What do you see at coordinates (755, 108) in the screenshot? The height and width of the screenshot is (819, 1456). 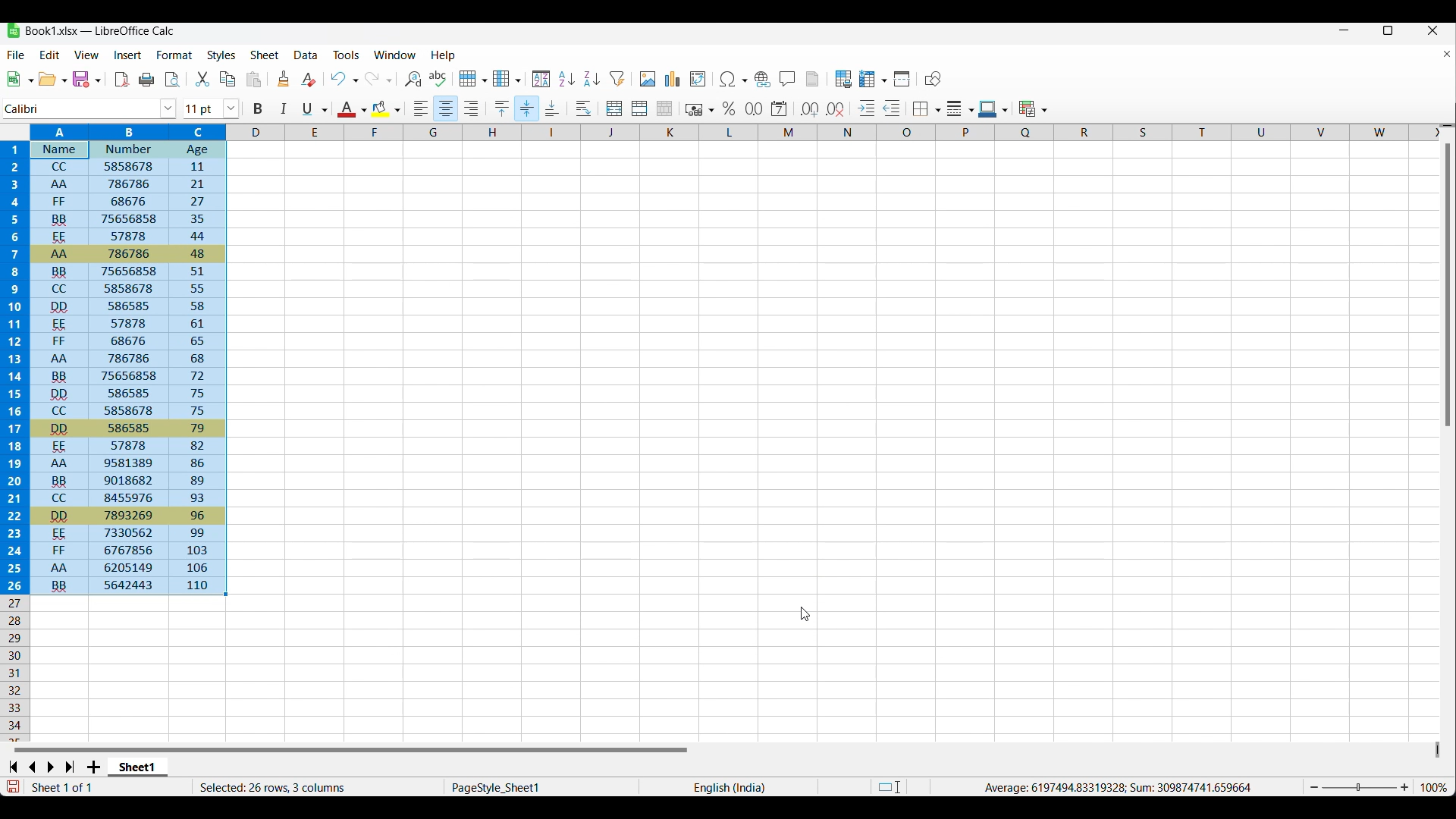 I see `Format as number` at bounding box center [755, 108].